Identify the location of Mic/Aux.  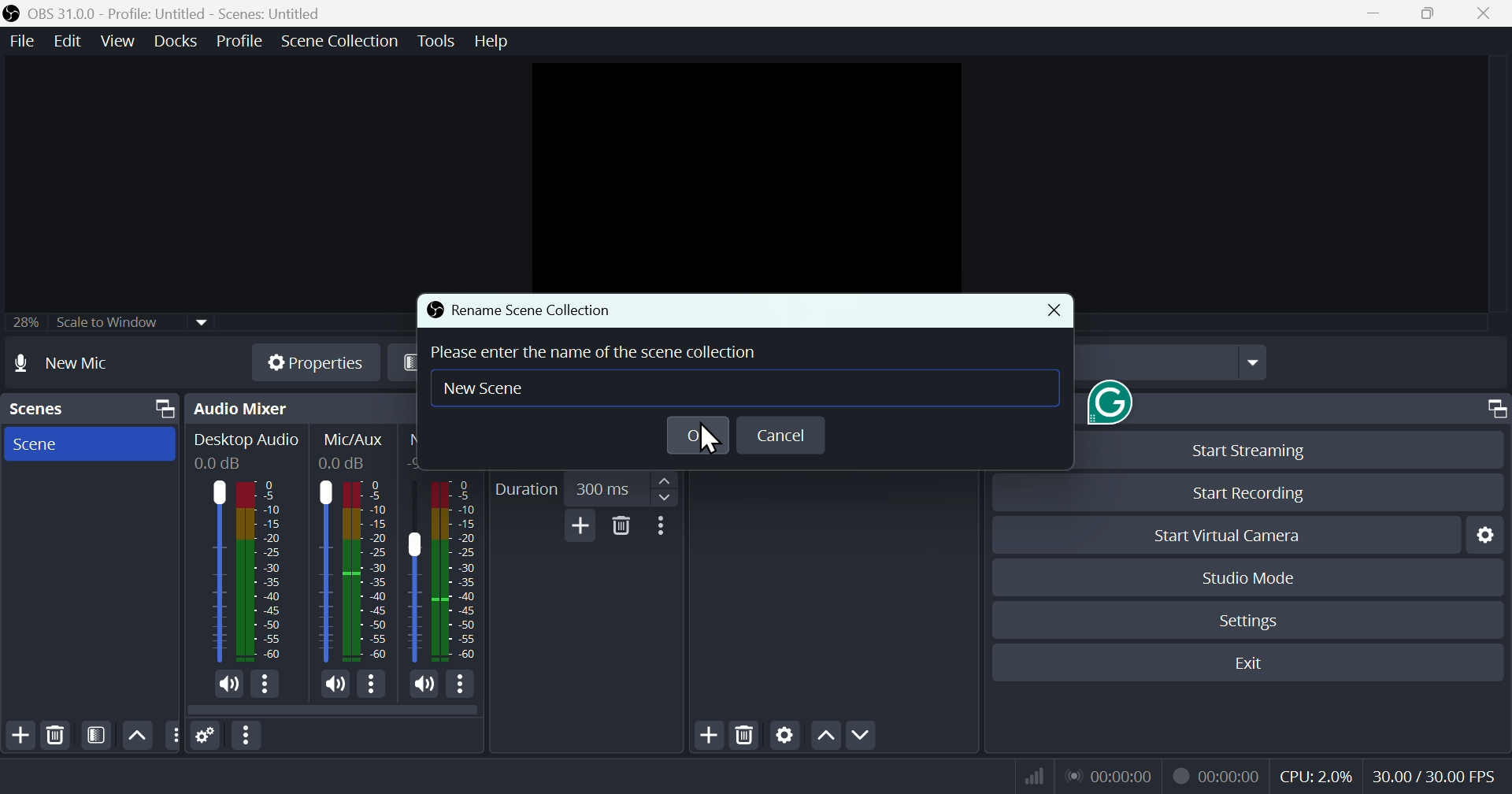
(356, 440).